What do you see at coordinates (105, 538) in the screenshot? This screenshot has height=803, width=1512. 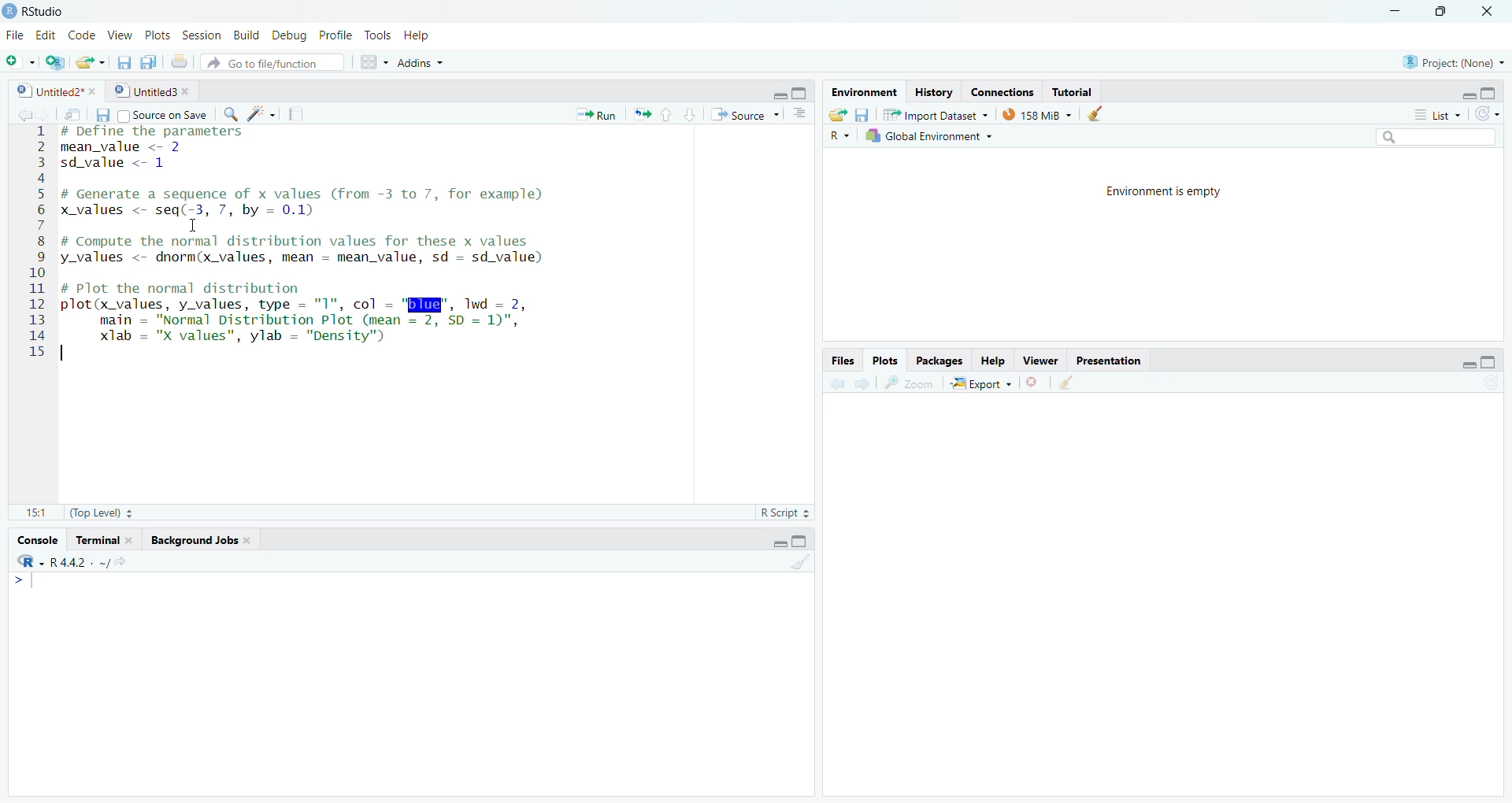 I see `Terminal` at bounding box center [105, 538].